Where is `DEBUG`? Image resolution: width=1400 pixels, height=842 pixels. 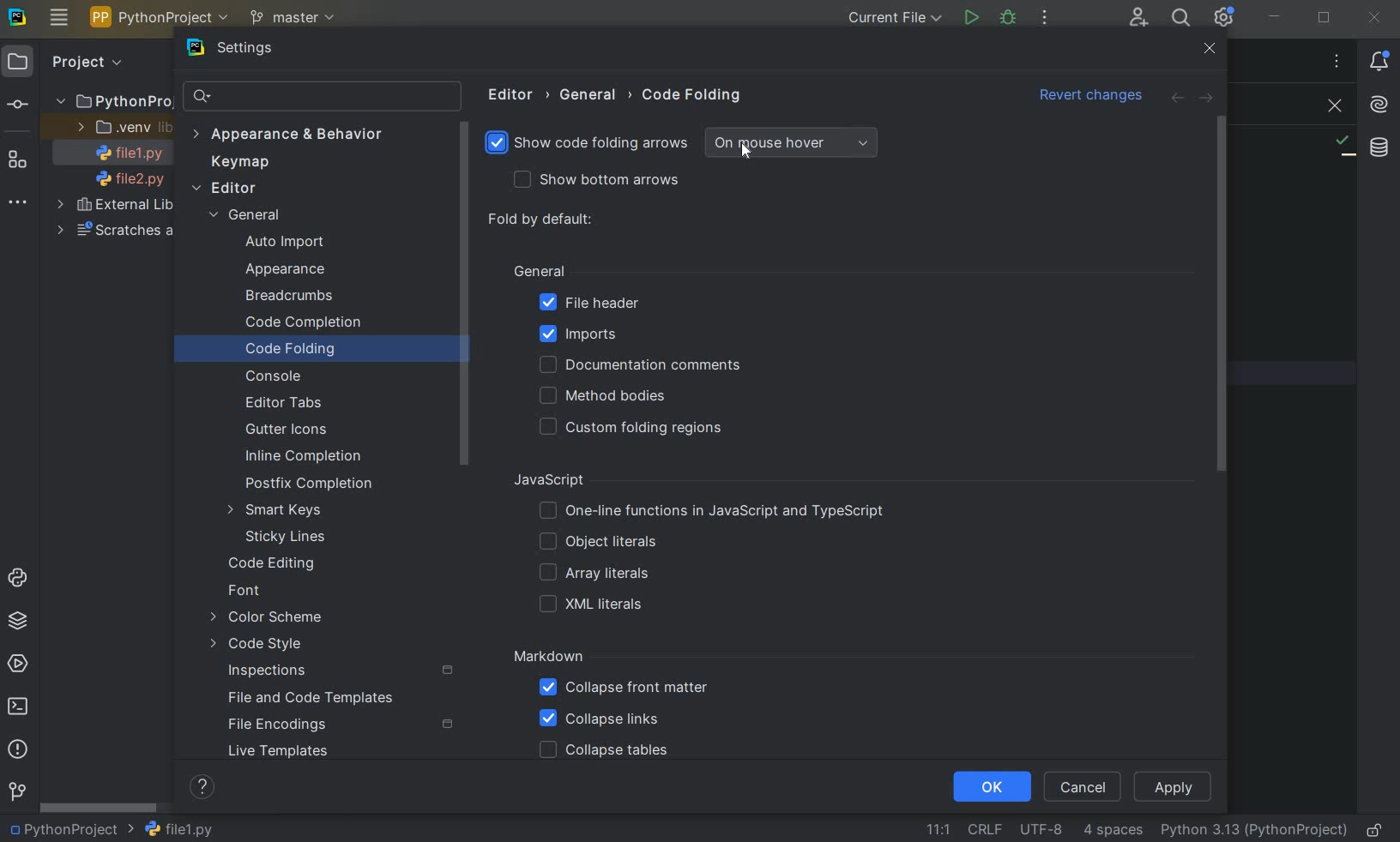
DEBUG is located at coordinates (1010, 19).